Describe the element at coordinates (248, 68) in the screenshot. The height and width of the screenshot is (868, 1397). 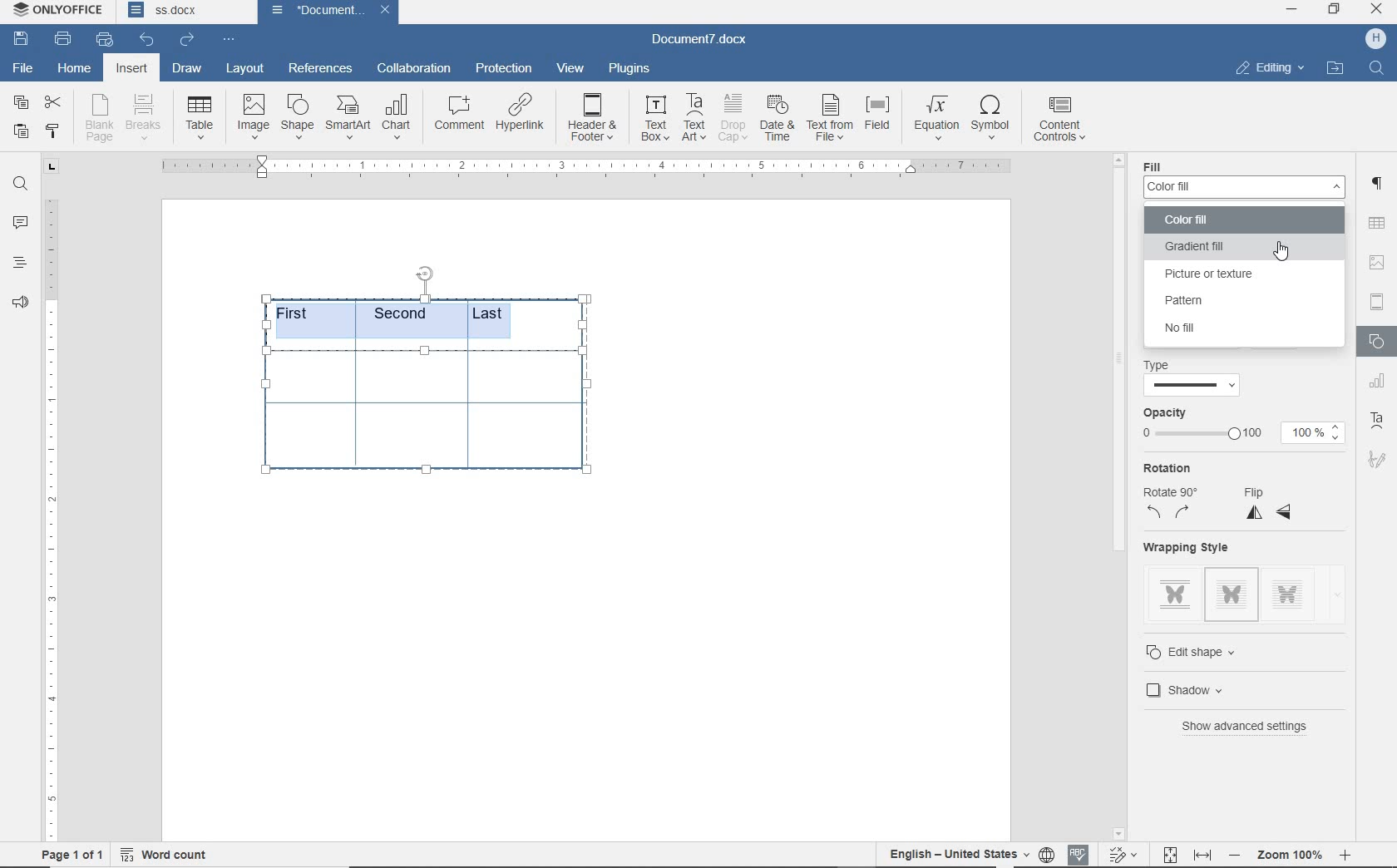
I see `layout` at that location.